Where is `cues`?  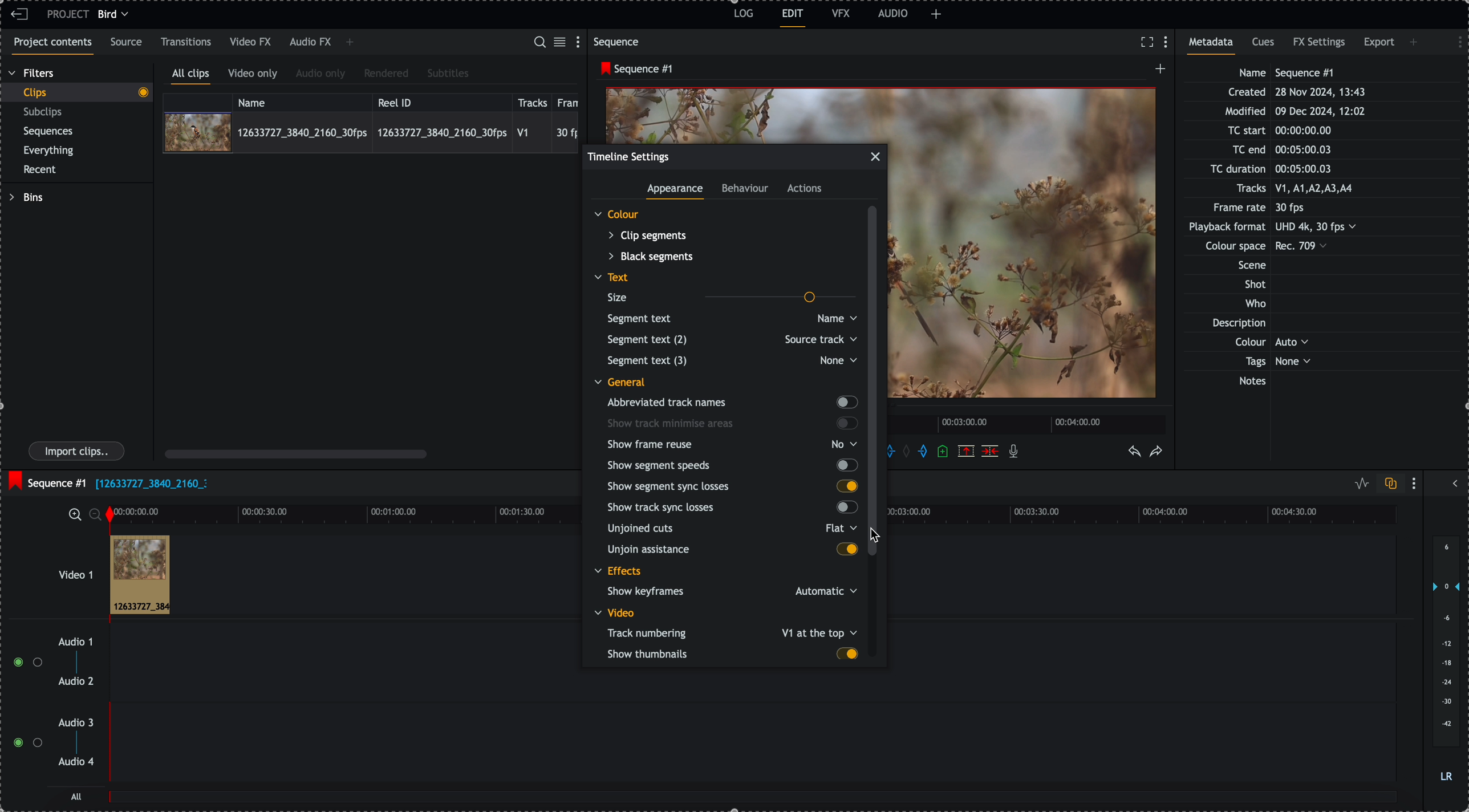
cues is located at coordinates (1264, 46).